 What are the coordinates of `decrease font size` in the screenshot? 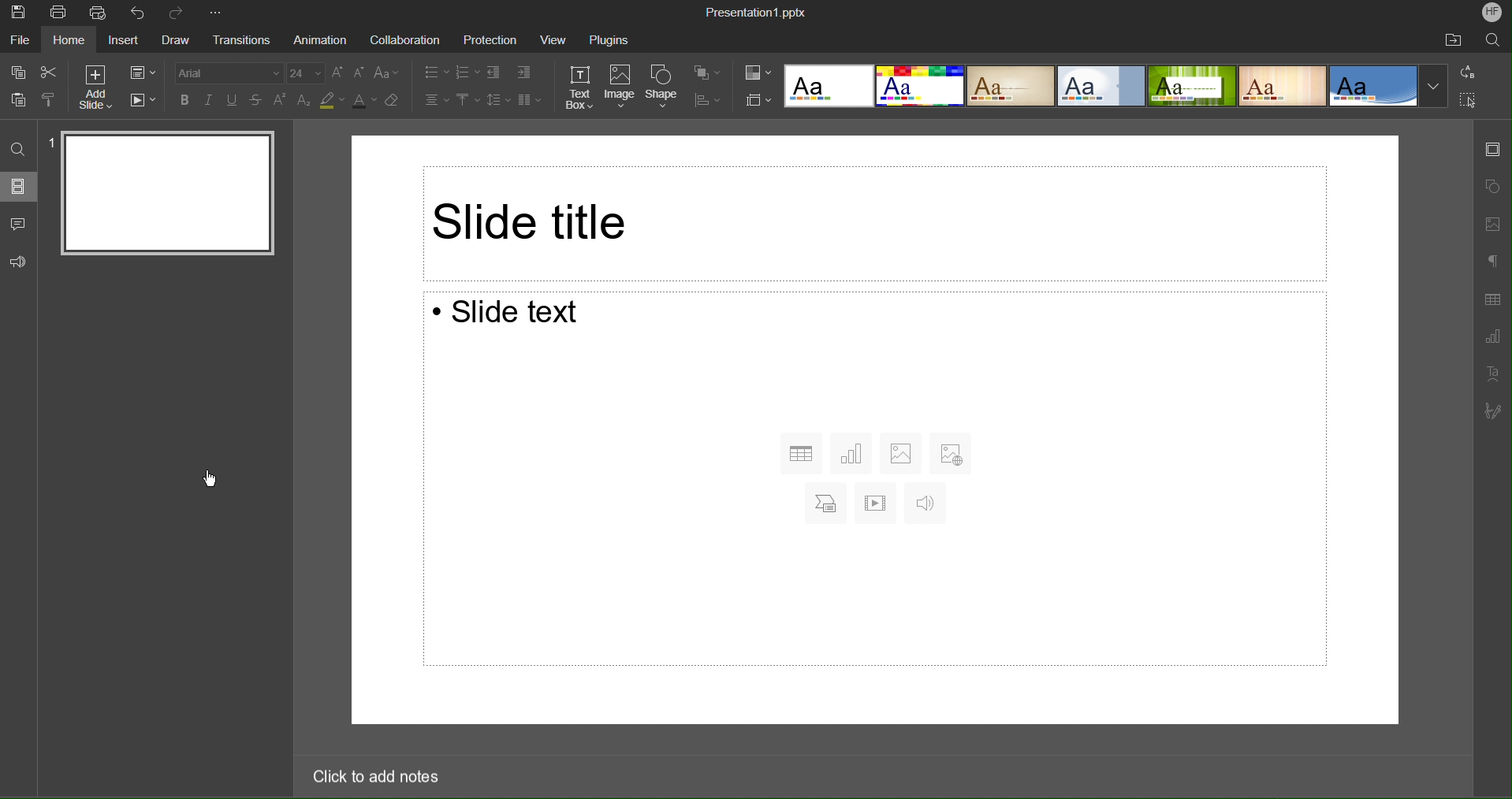 It's located at (357, 72).